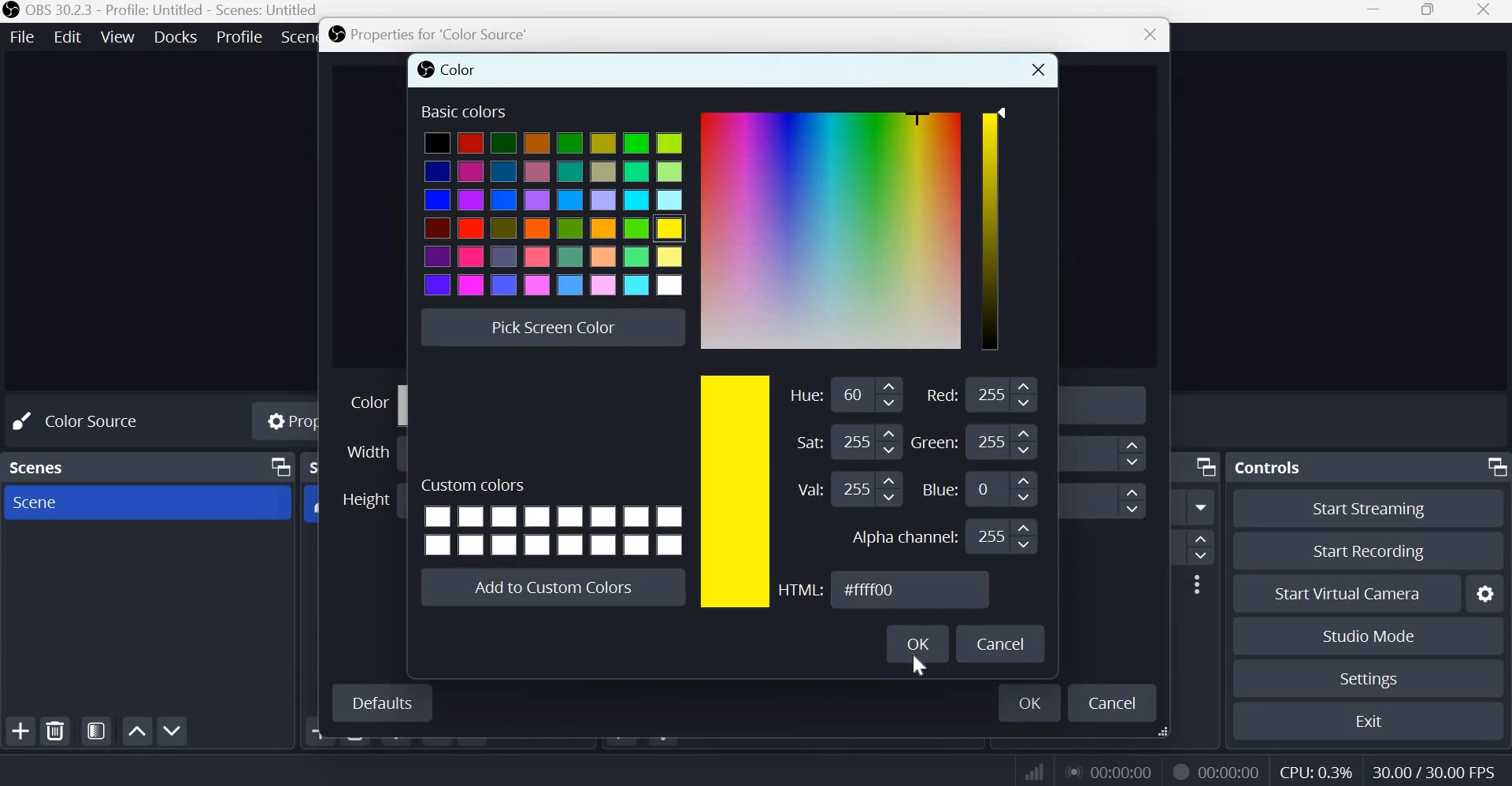 The width and height of the screenshot is (1512, 786). I want to click on Saturation:, so click(806, 439).